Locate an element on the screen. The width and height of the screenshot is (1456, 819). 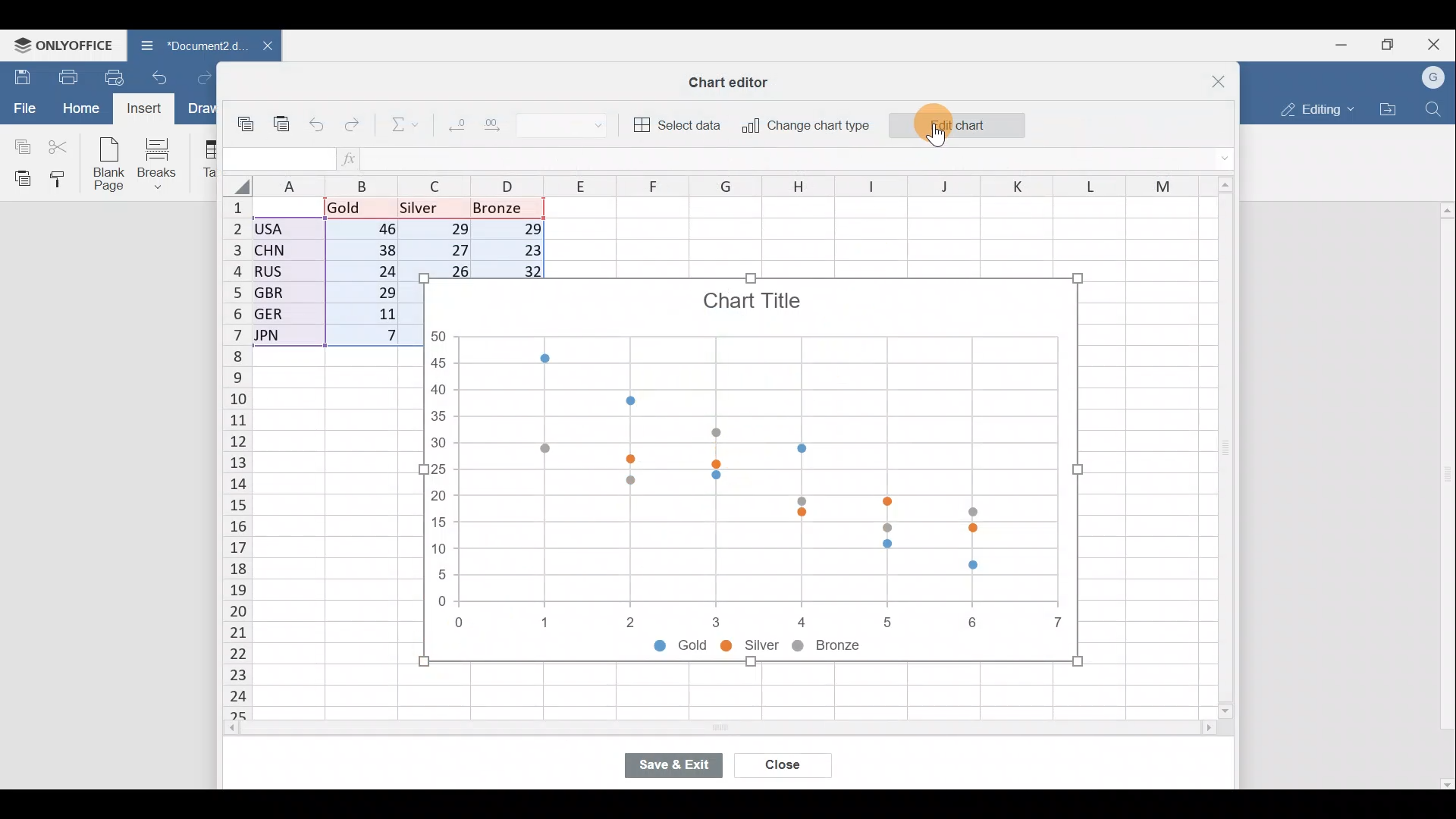
Save & exit is located at coordinates (673, 765).